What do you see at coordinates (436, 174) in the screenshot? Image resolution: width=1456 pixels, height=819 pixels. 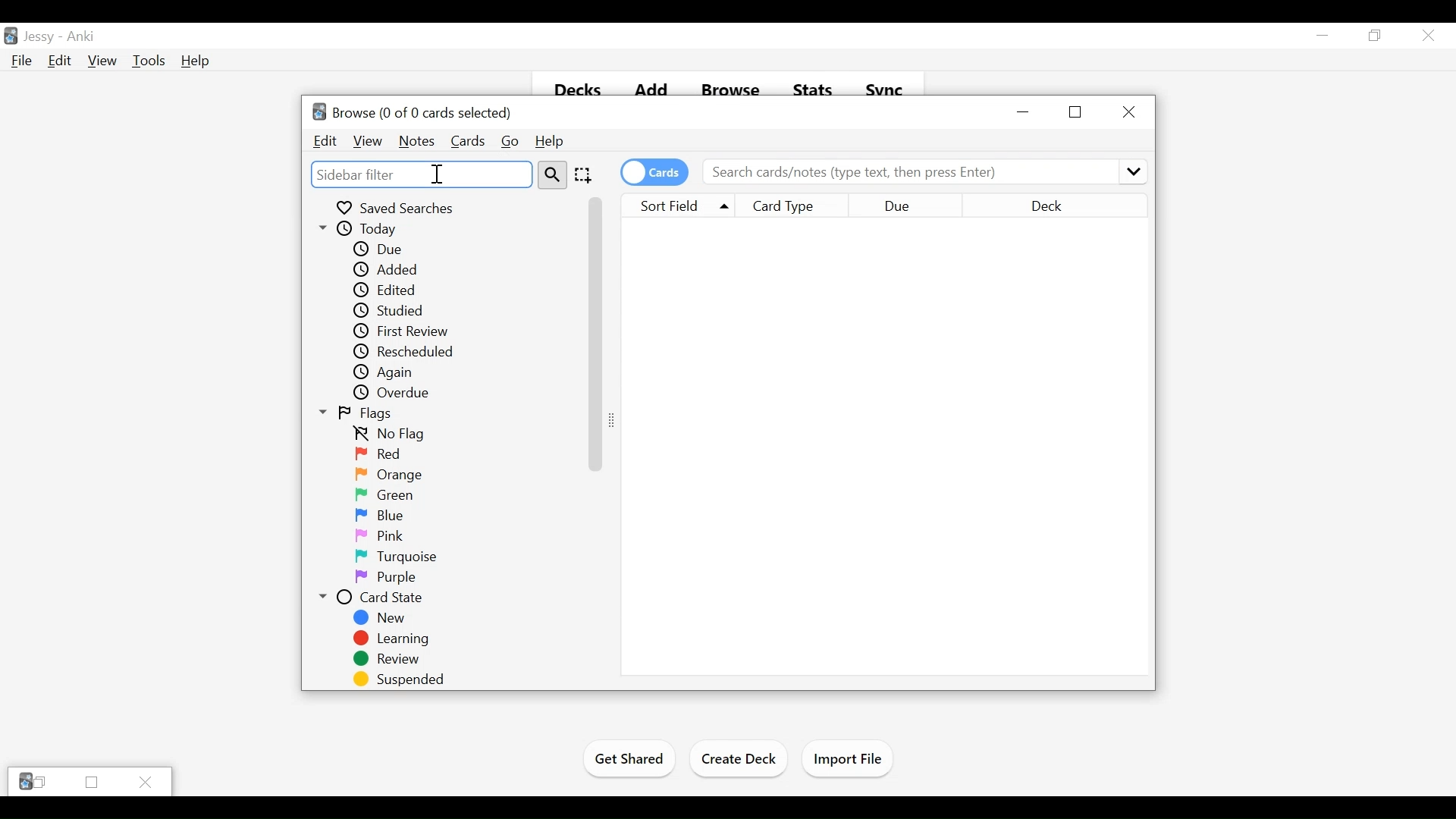 I see `Insertion cursor` at bounding box center [436, 174].